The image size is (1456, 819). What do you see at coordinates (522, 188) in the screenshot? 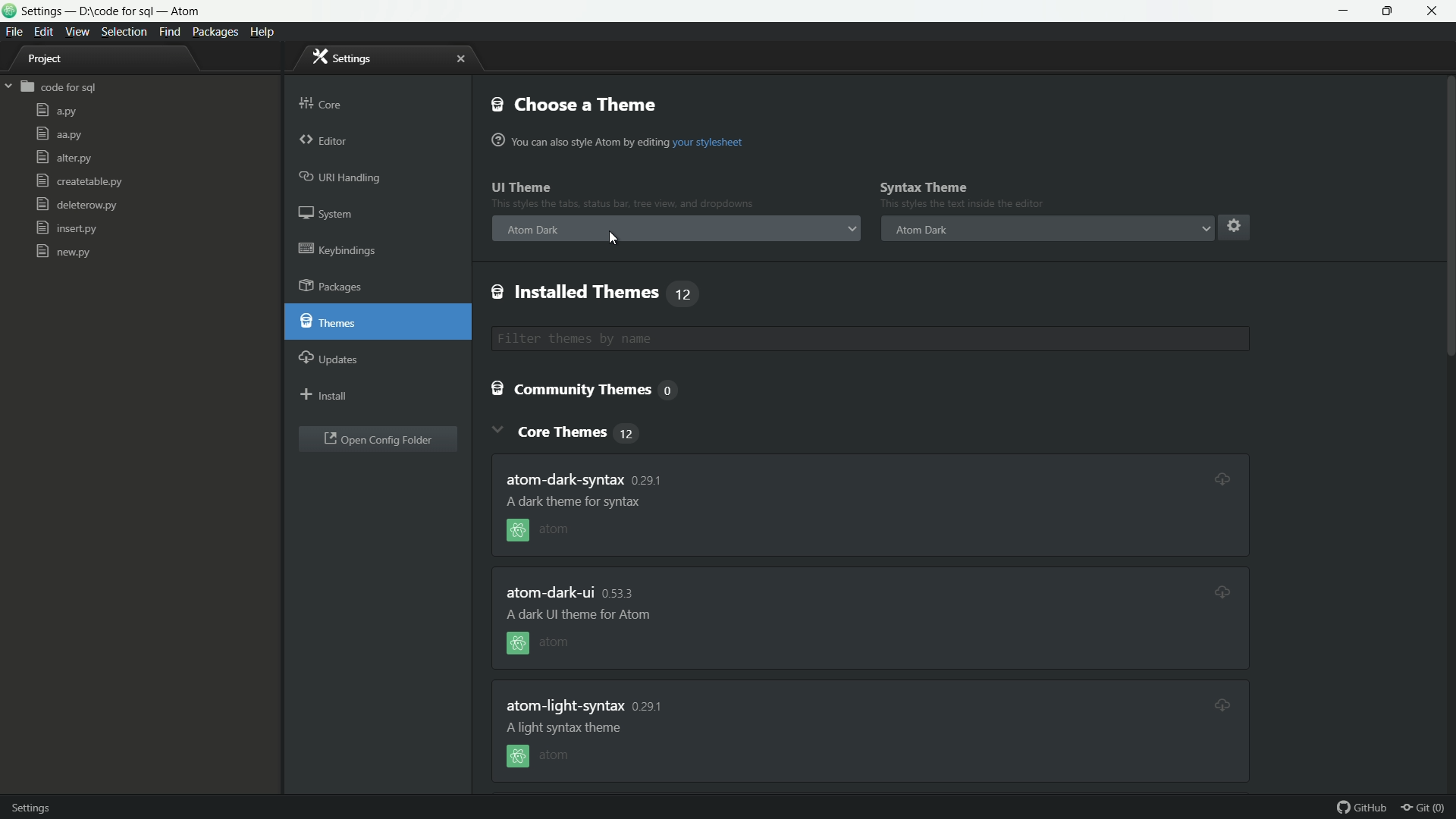
I see `ui theme` at bounding box center [522, 188].